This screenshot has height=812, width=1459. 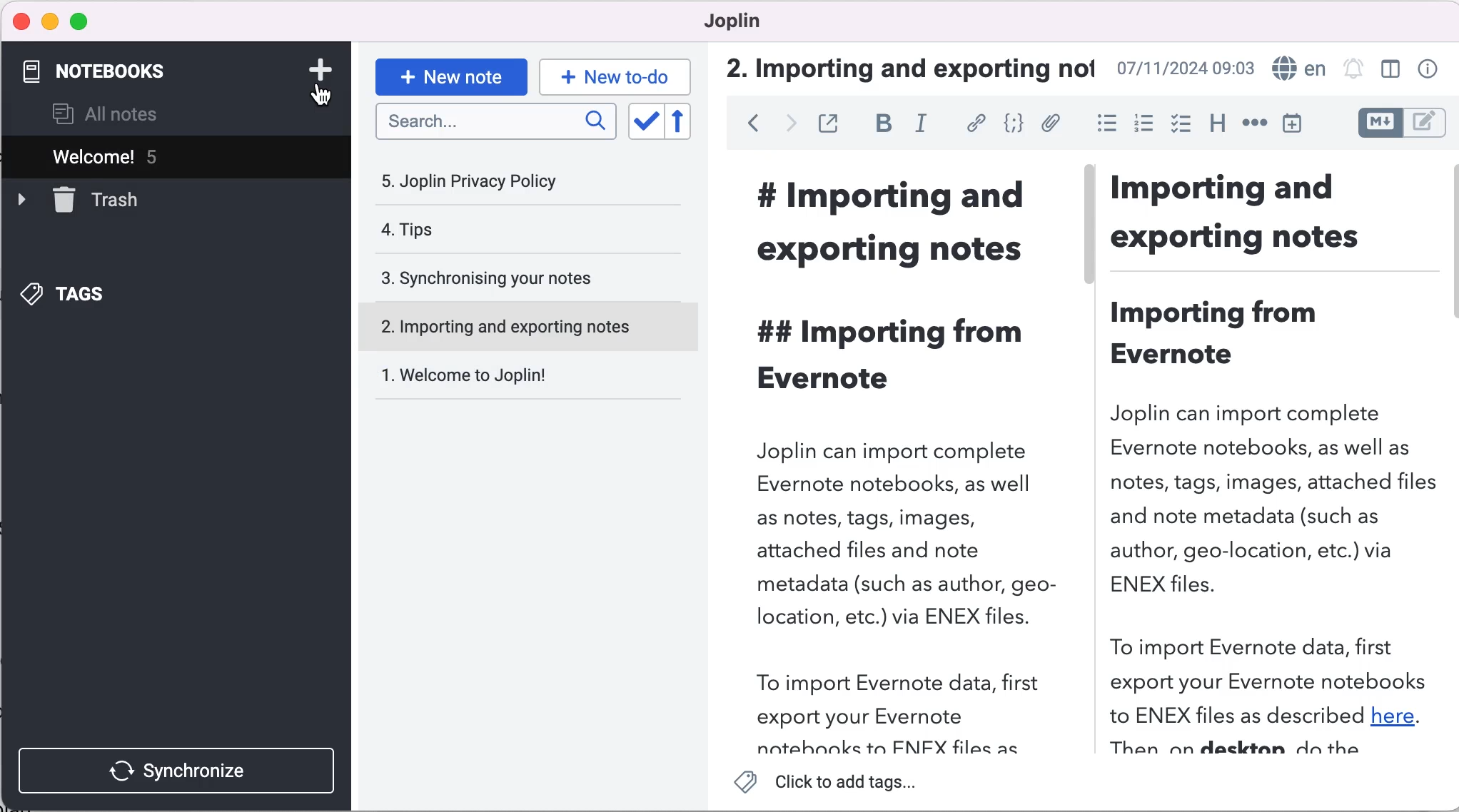 I want to click on joplin privacy policy, so click(x=474, y=177).